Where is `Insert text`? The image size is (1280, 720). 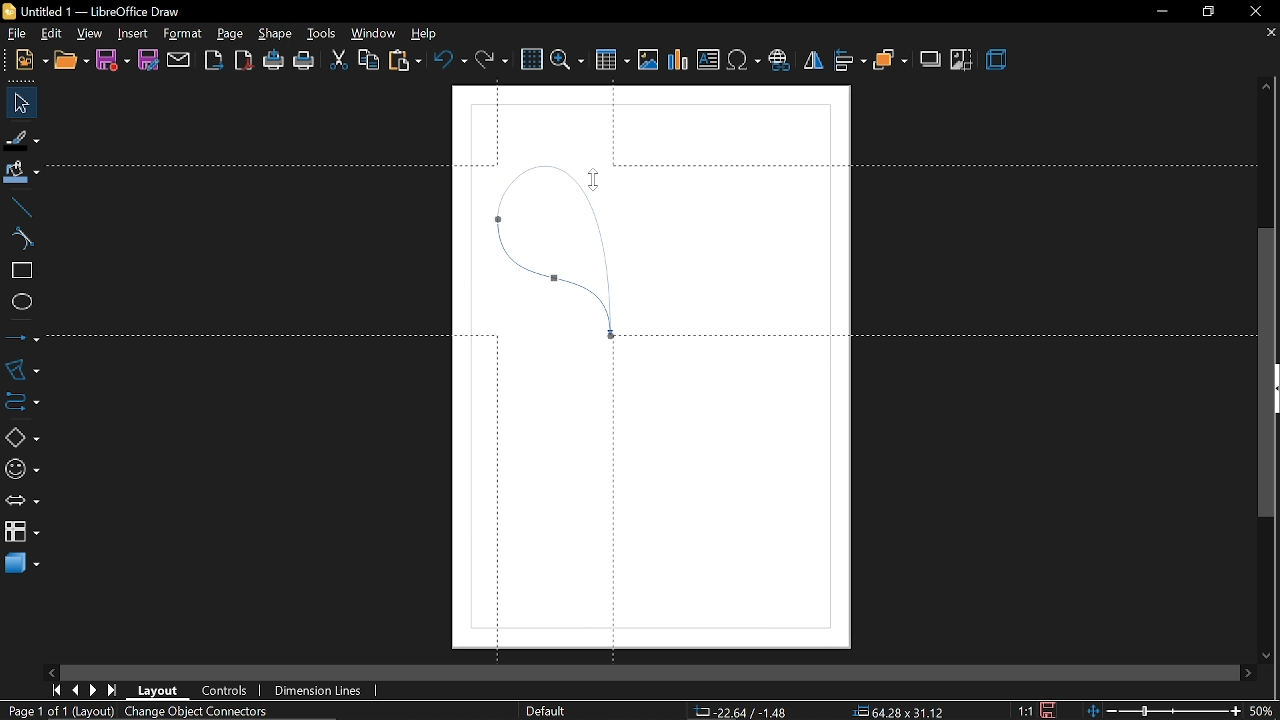 Insert text is located at coordinates (708, 60).